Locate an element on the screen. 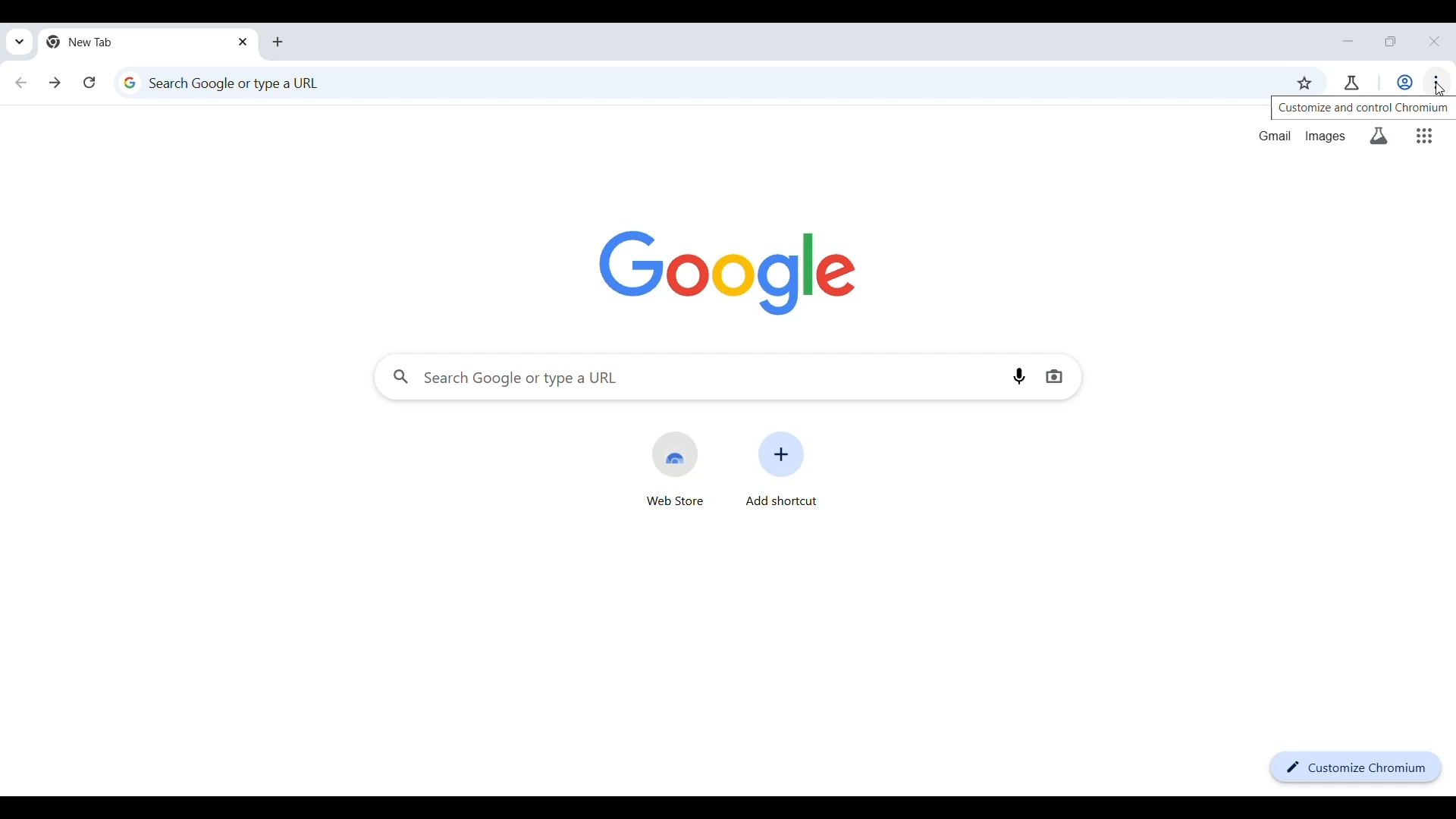 Image resolution: width=1456 pixels, height=819 pixels. Go forward is located at coordinates (55, 83).